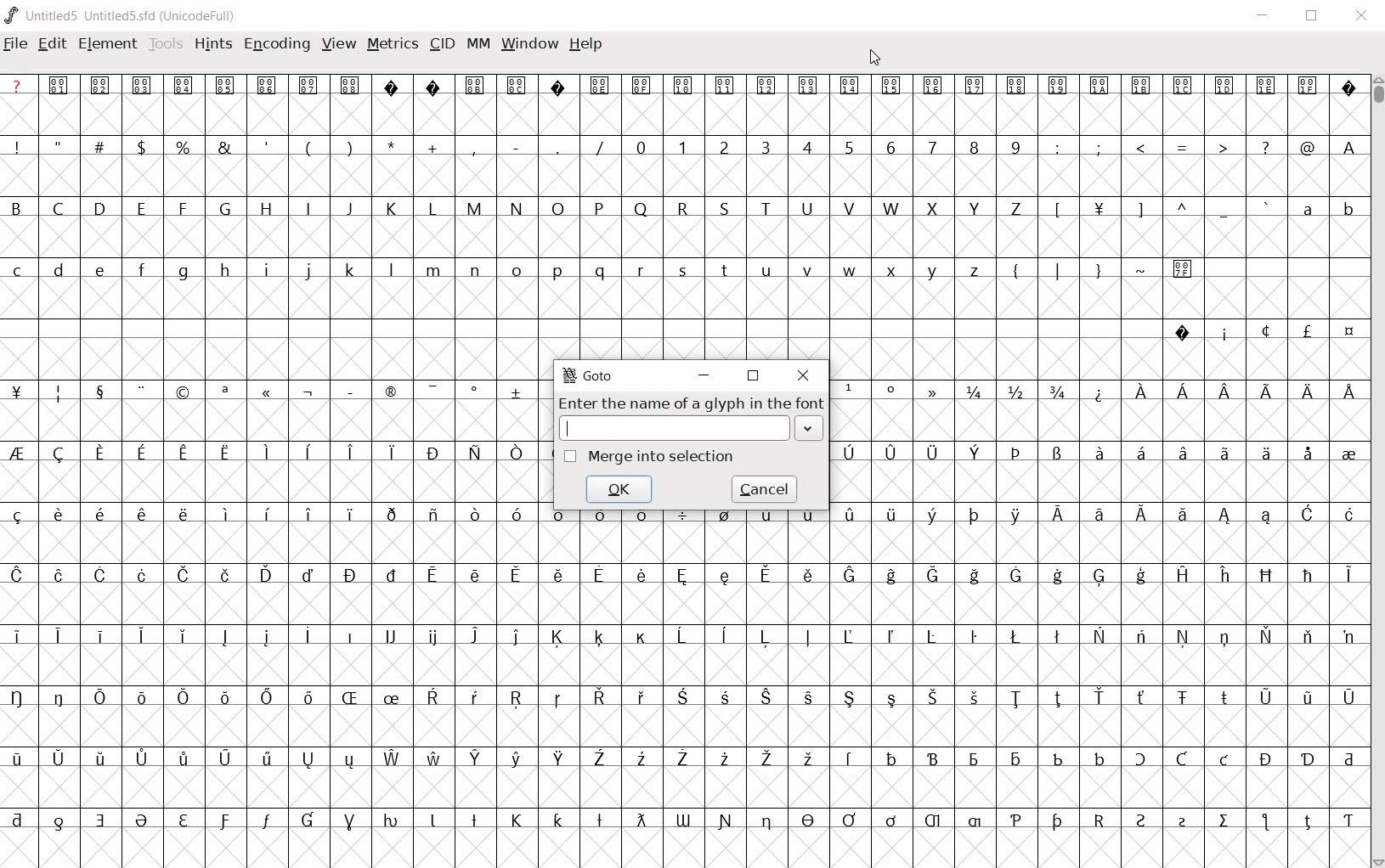  I want to click on Symbol, so click(1143, 391).